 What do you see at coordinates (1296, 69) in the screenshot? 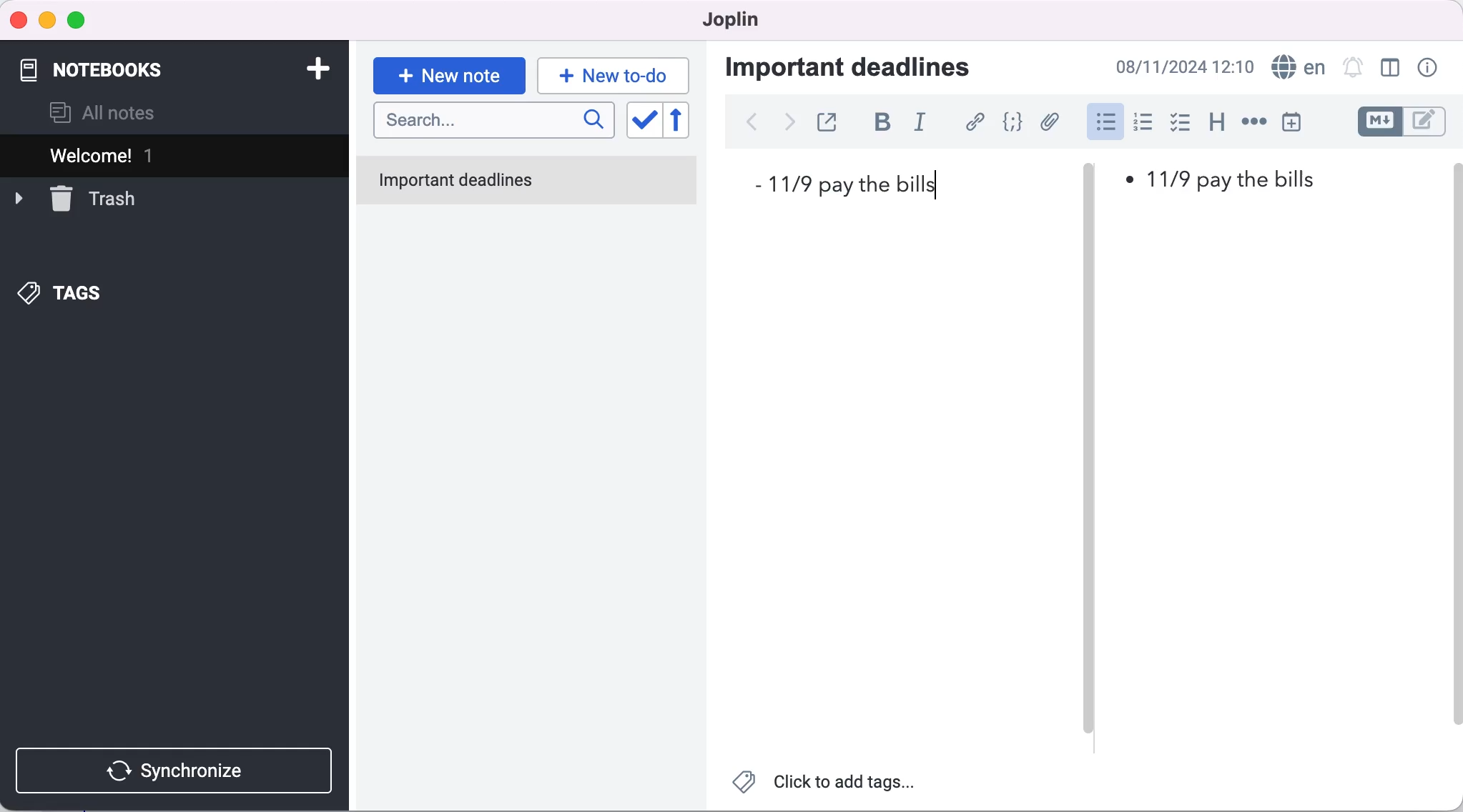
I see `language` at bounding box center [1296, 69].